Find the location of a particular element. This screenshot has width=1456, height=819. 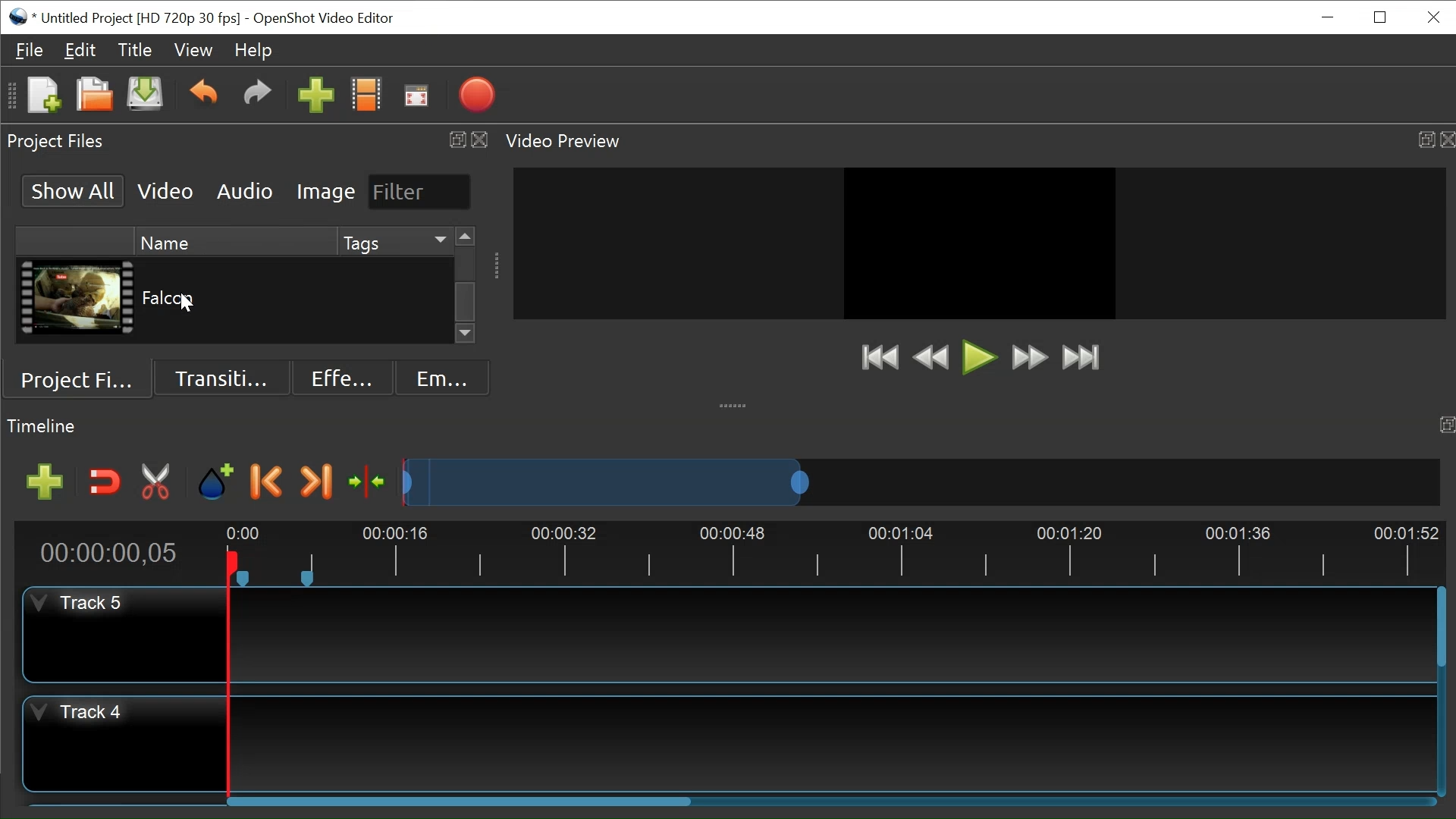

Project Files is located at coordinates (248, 140).